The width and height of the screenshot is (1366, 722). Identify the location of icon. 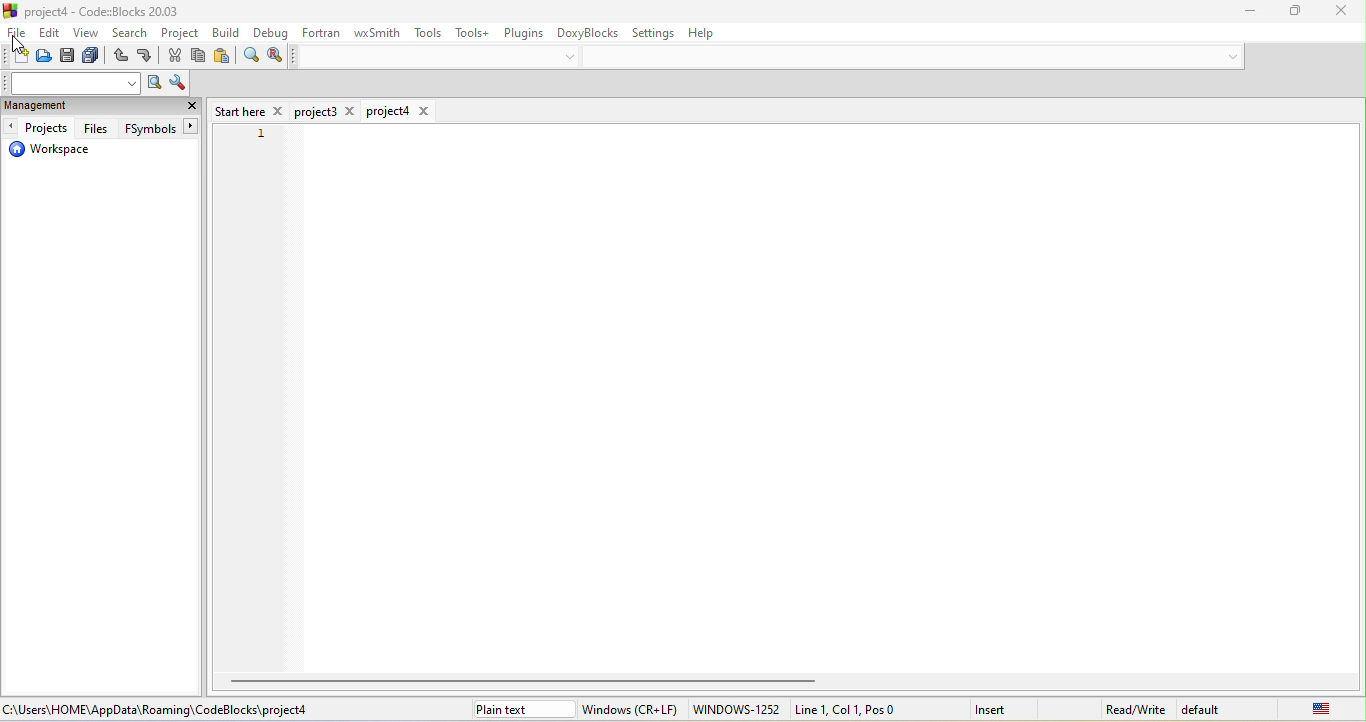
(12, 10).